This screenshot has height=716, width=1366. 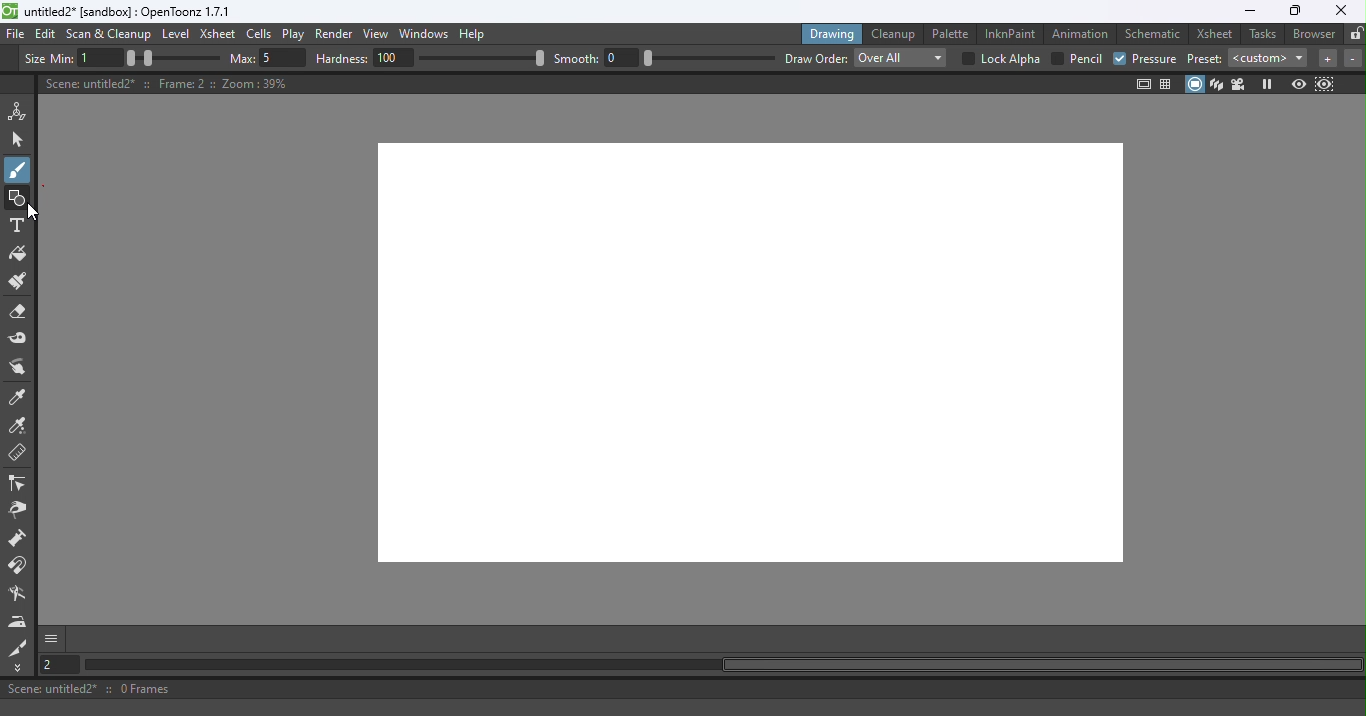 I want to click on Help, so click(x=475, y=33).